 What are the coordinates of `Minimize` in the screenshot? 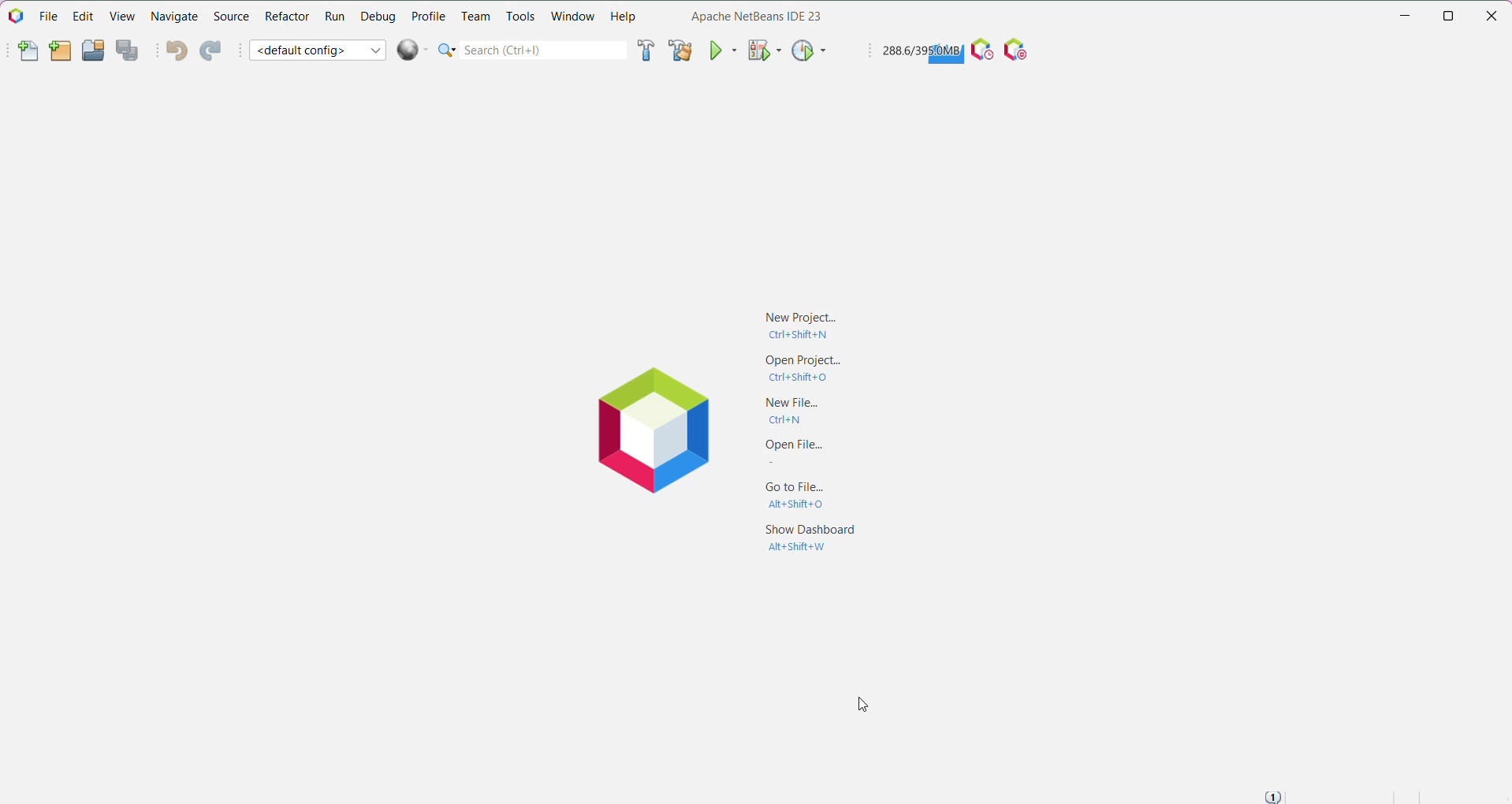 It's located at (1401, 16).